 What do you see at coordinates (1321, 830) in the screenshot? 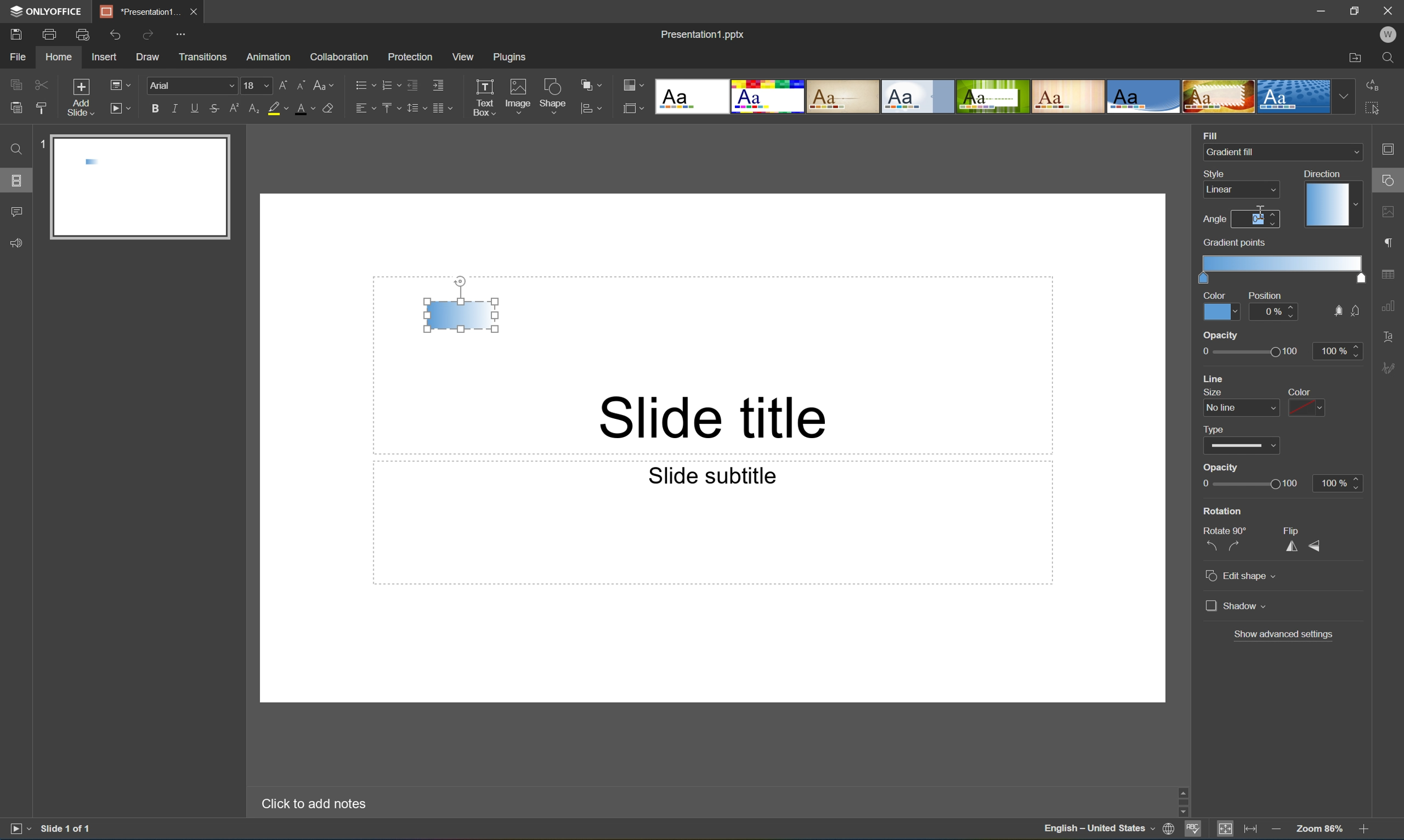
I see `Zoom 103%` at bounding box center [1321, 830].